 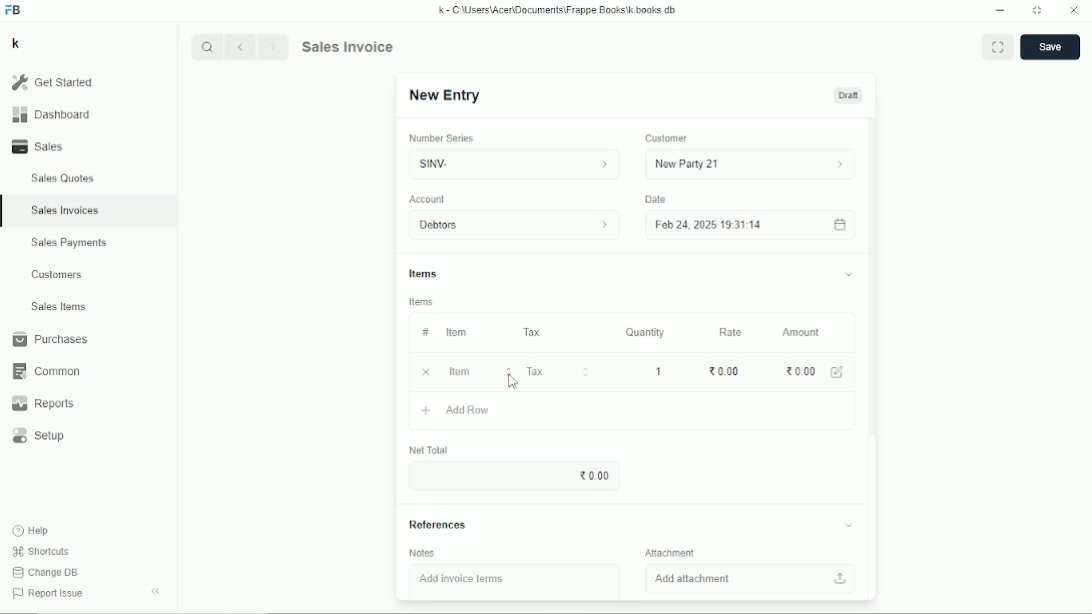 What do you see at coordinates (802, 332) in the screenshot?
I see `Amount` at bounding box center [802, 332].